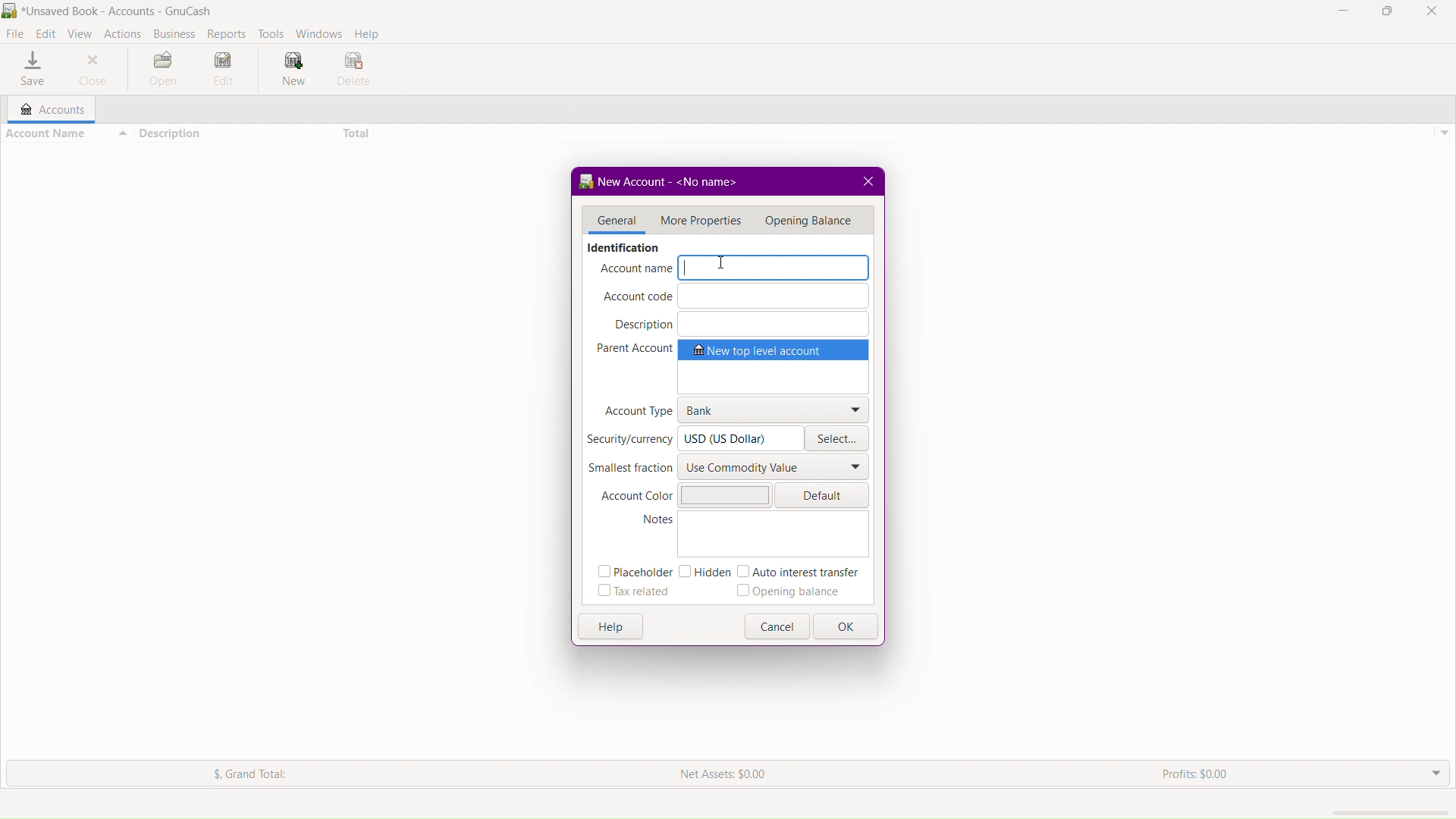 This screenshot has height=819, width=1456. What do you see at coordinates (723, 262) in the screenshot?
I see `cursor` at bounding box center [723, 262].